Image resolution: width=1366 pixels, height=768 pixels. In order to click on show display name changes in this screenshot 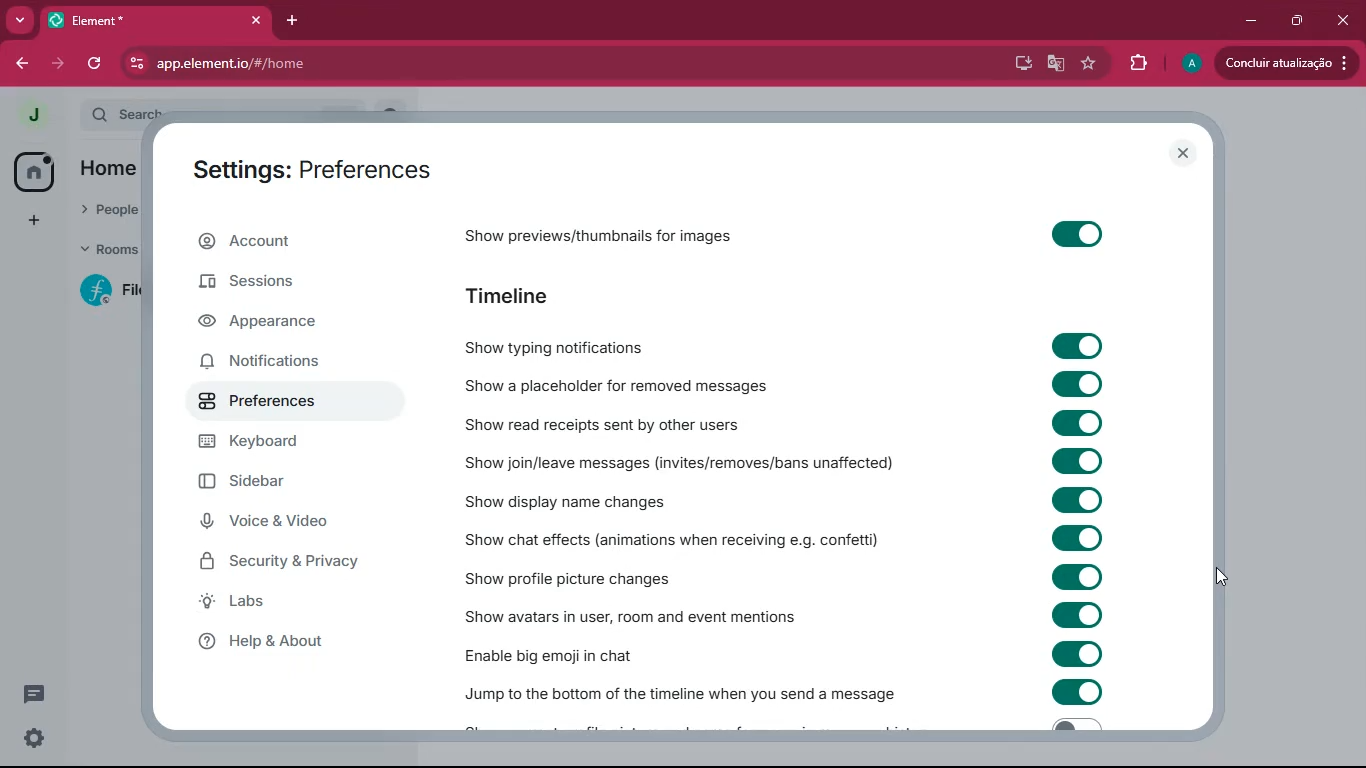, I will do `click(576, 499)`.